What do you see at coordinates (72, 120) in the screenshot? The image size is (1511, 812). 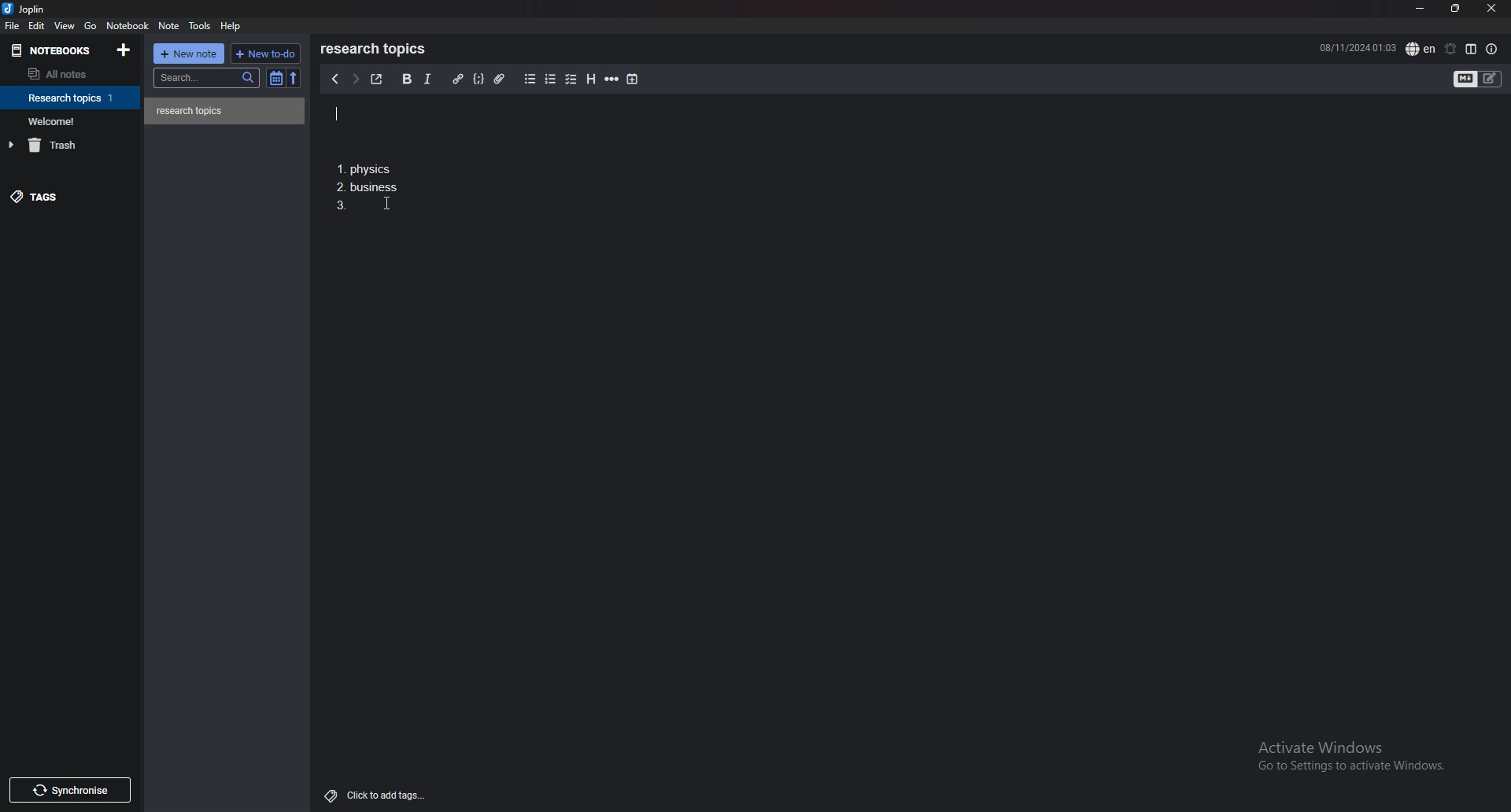 I see `notebook` at bounding box center [72, 120].